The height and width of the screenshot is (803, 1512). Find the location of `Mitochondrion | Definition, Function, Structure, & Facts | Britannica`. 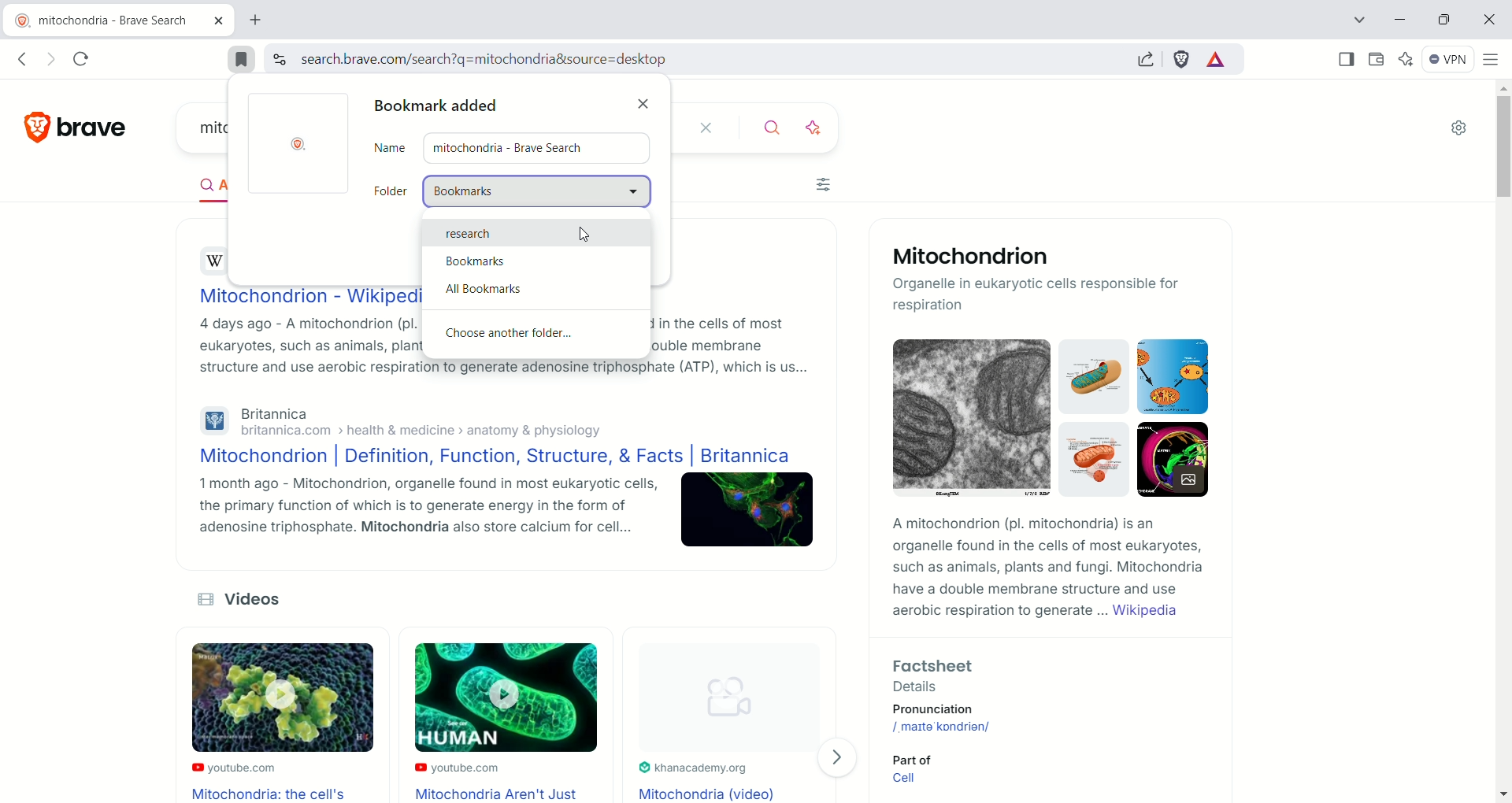

Mitochondrion | Definition, Function, Structure, & Facts | Britannica is located at coordinates (490, 457).